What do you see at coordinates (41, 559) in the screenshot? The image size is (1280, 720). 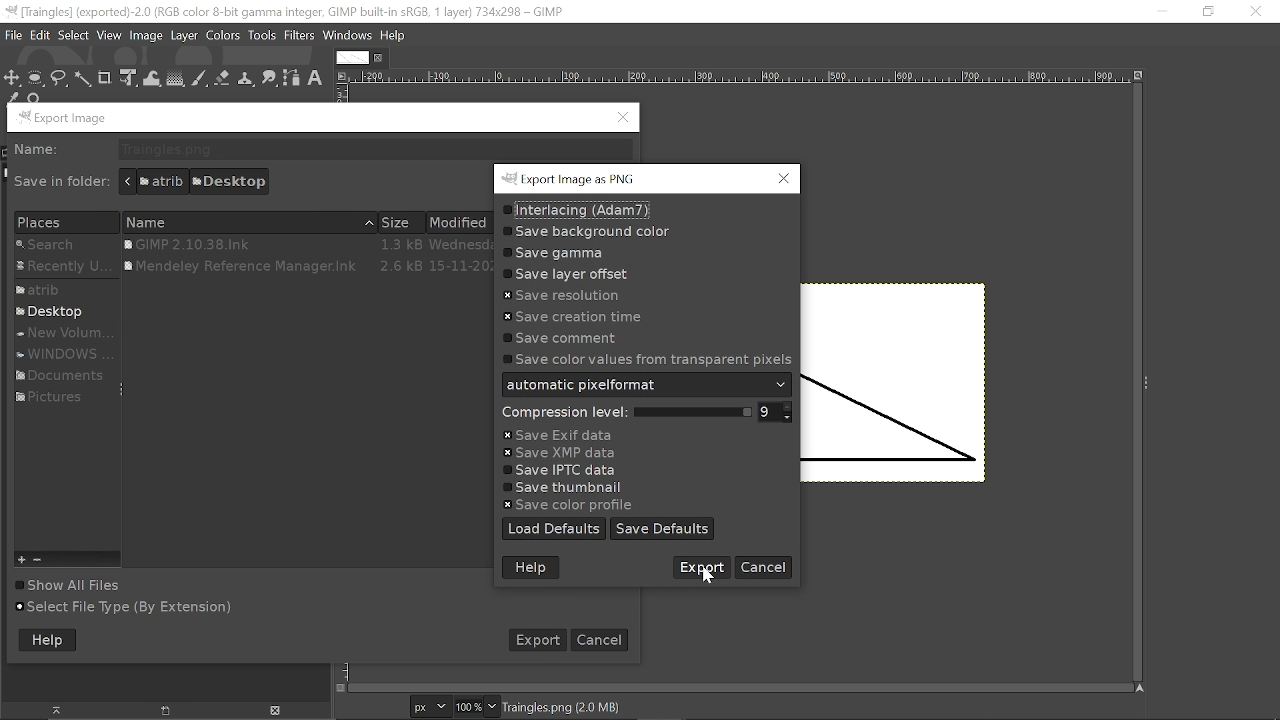 I see `Zoom out` at bounding box center [41, 559].